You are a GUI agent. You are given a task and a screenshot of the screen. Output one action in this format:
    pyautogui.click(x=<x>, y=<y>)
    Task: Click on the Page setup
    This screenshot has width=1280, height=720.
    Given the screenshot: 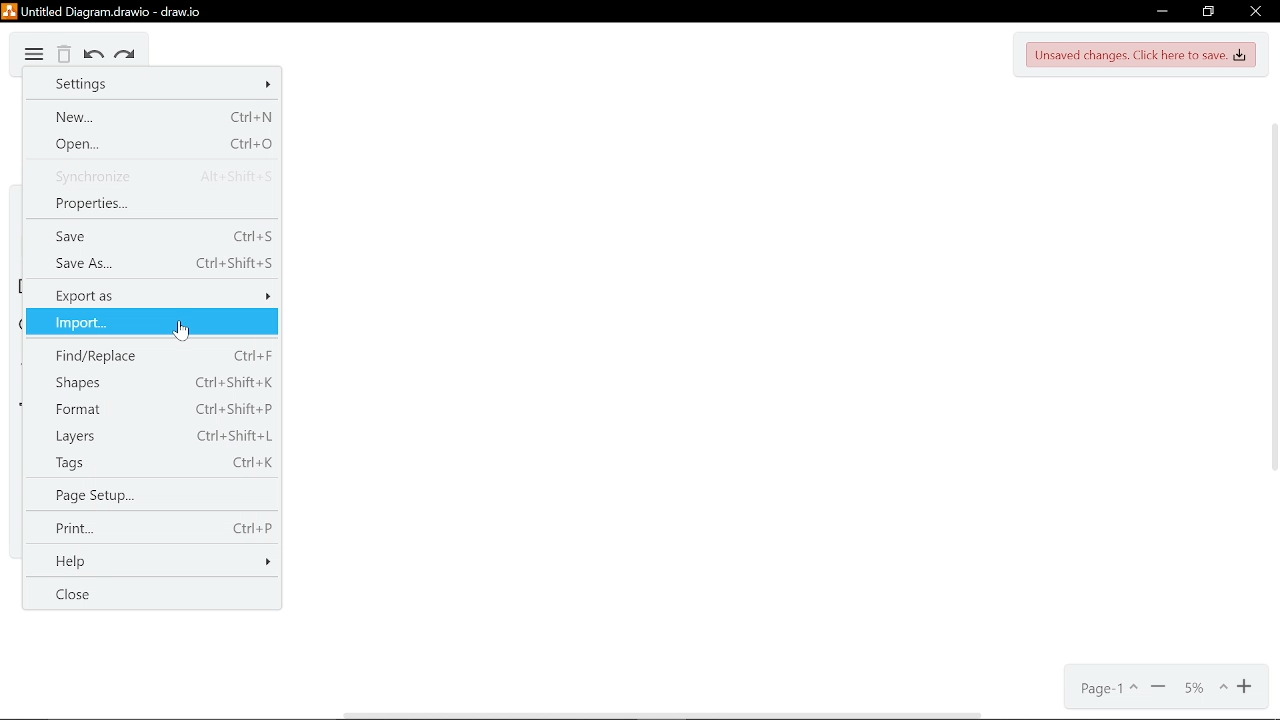 What is the action you would take?
    pyautogui.click(x=149, y=492)
    